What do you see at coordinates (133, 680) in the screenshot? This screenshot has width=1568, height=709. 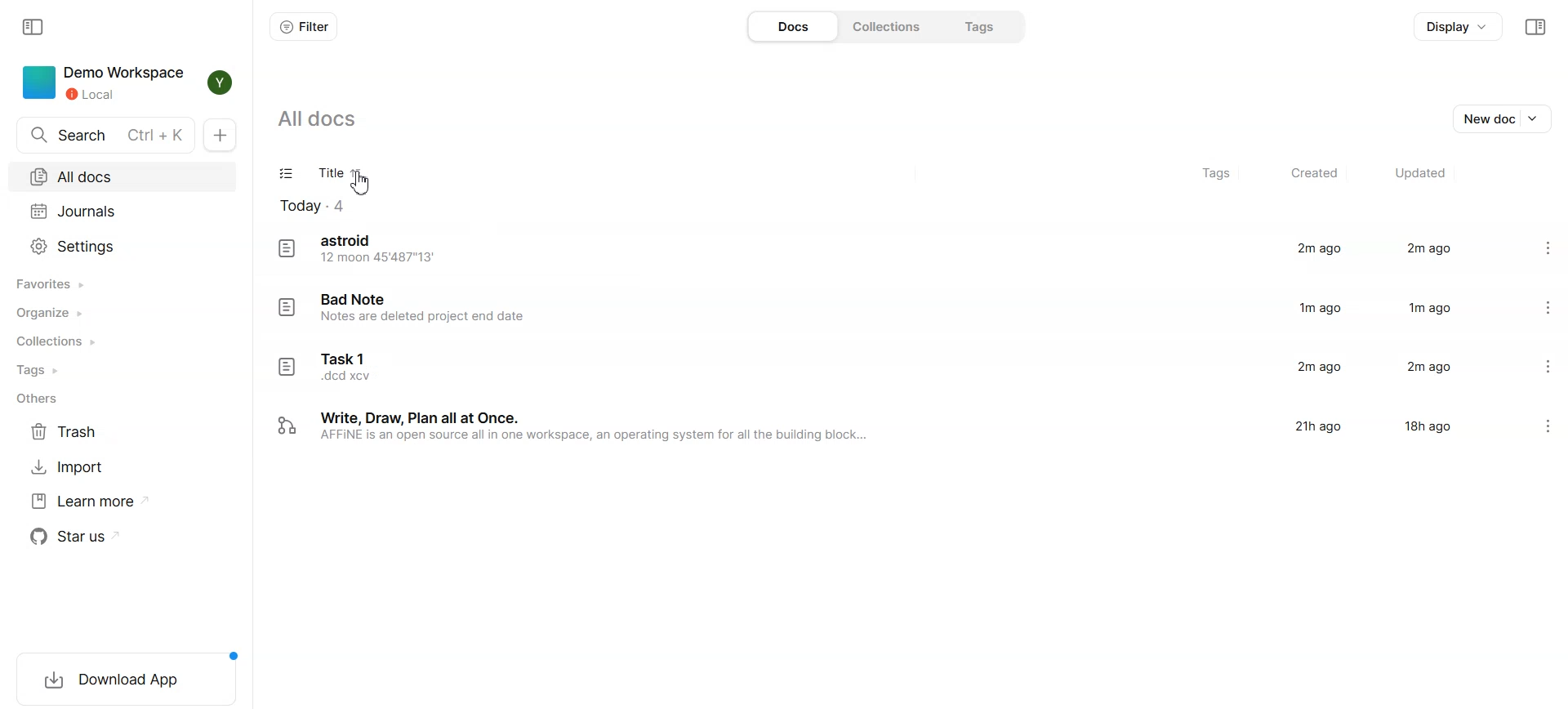 I see `Download App` at bounding box center [133, 680].